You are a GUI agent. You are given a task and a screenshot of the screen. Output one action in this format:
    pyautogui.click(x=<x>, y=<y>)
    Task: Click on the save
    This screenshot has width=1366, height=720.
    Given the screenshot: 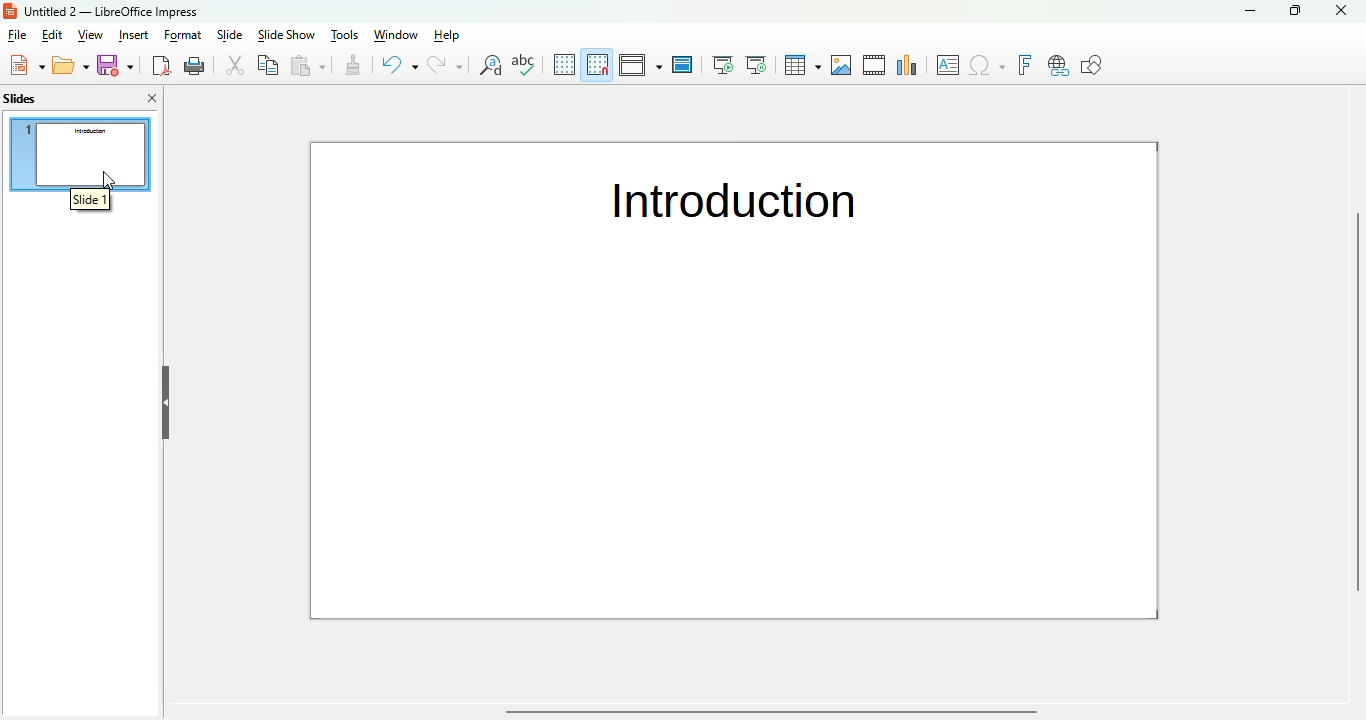 What is the action you would take?
    pyautogui.click(x=115, y=65)
    